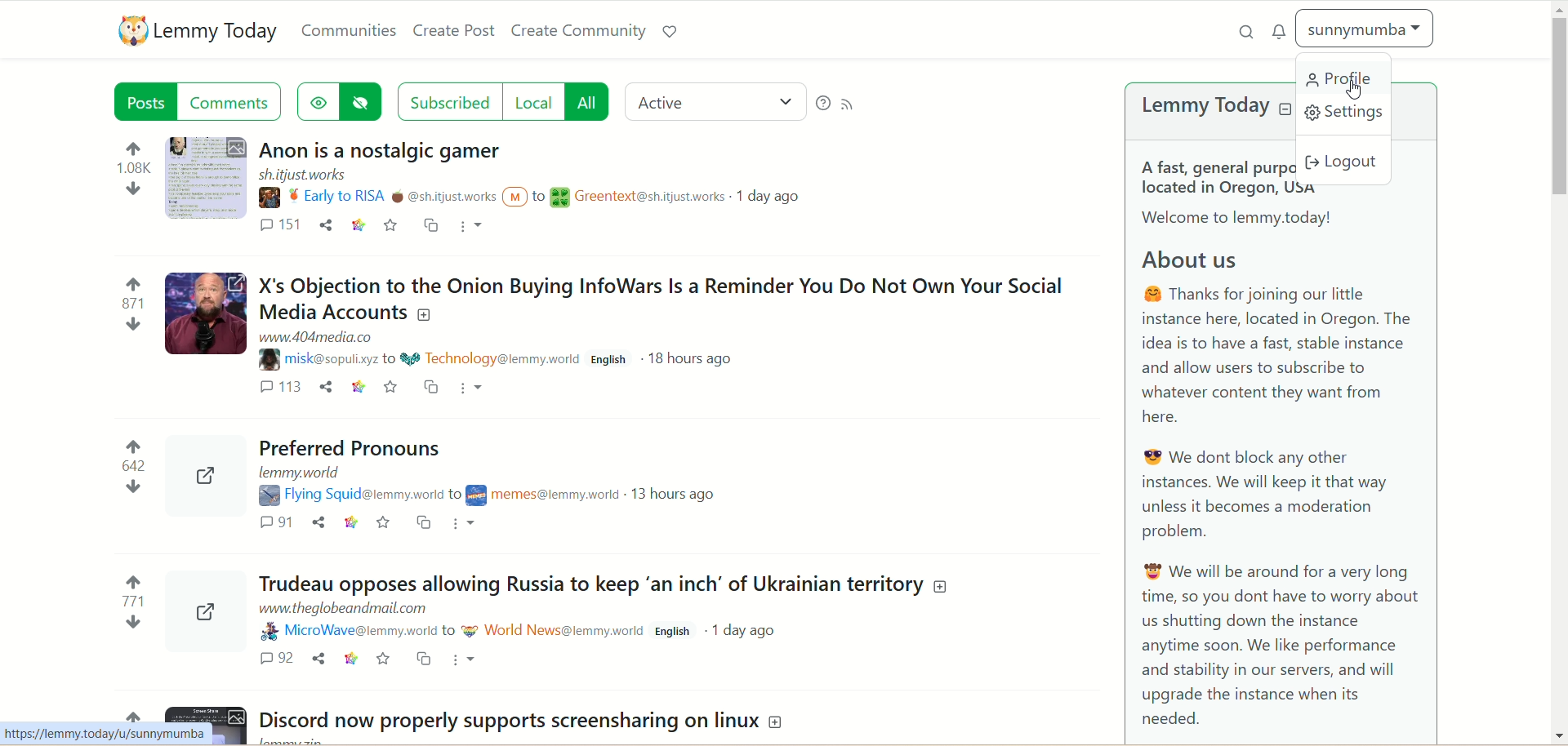 The image size is (1568, 746). Describe the element at coordinates (445, 100) in the screenshot. I see `subscribed` at that location.